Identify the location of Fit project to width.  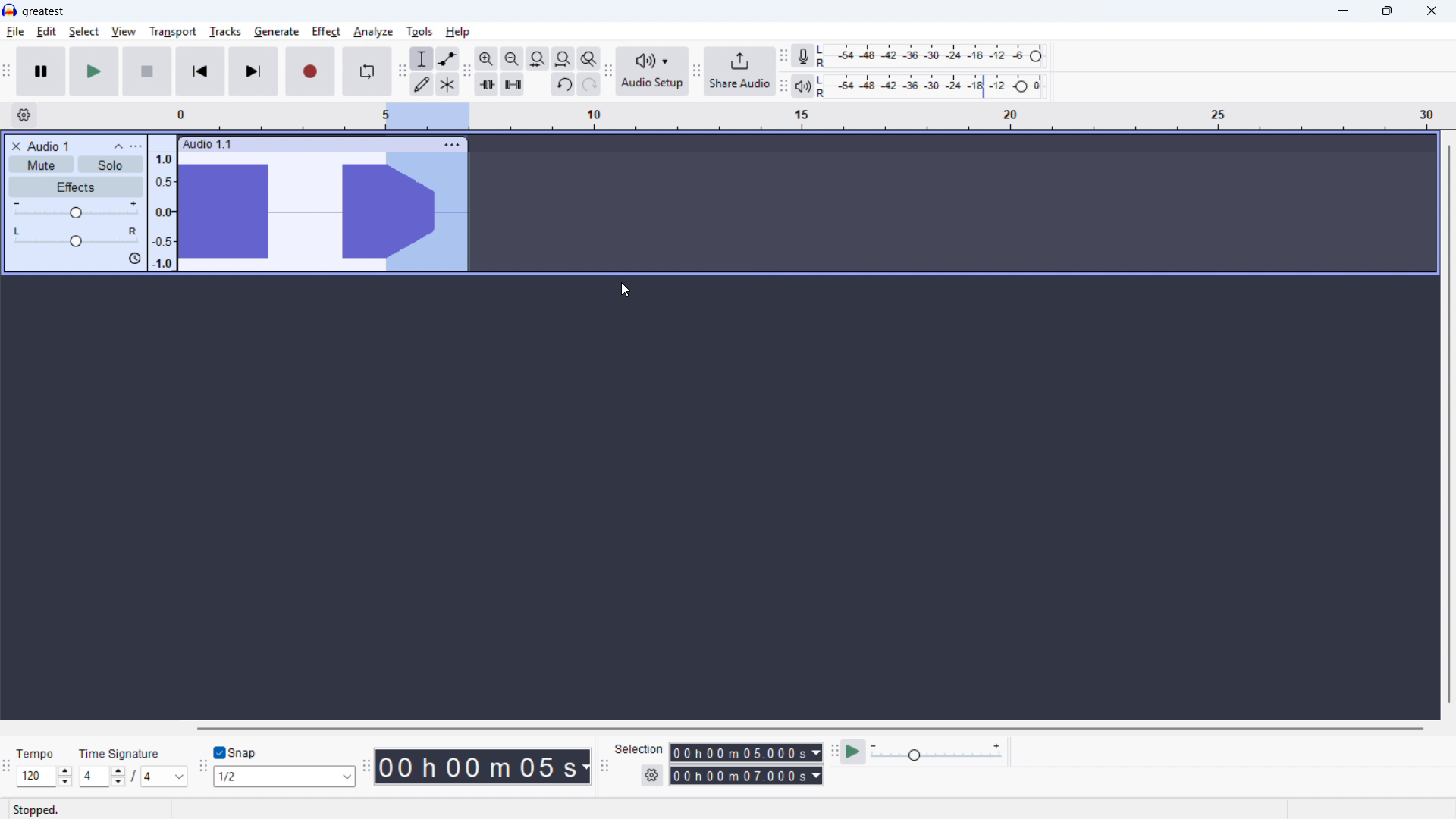
(563, 59).